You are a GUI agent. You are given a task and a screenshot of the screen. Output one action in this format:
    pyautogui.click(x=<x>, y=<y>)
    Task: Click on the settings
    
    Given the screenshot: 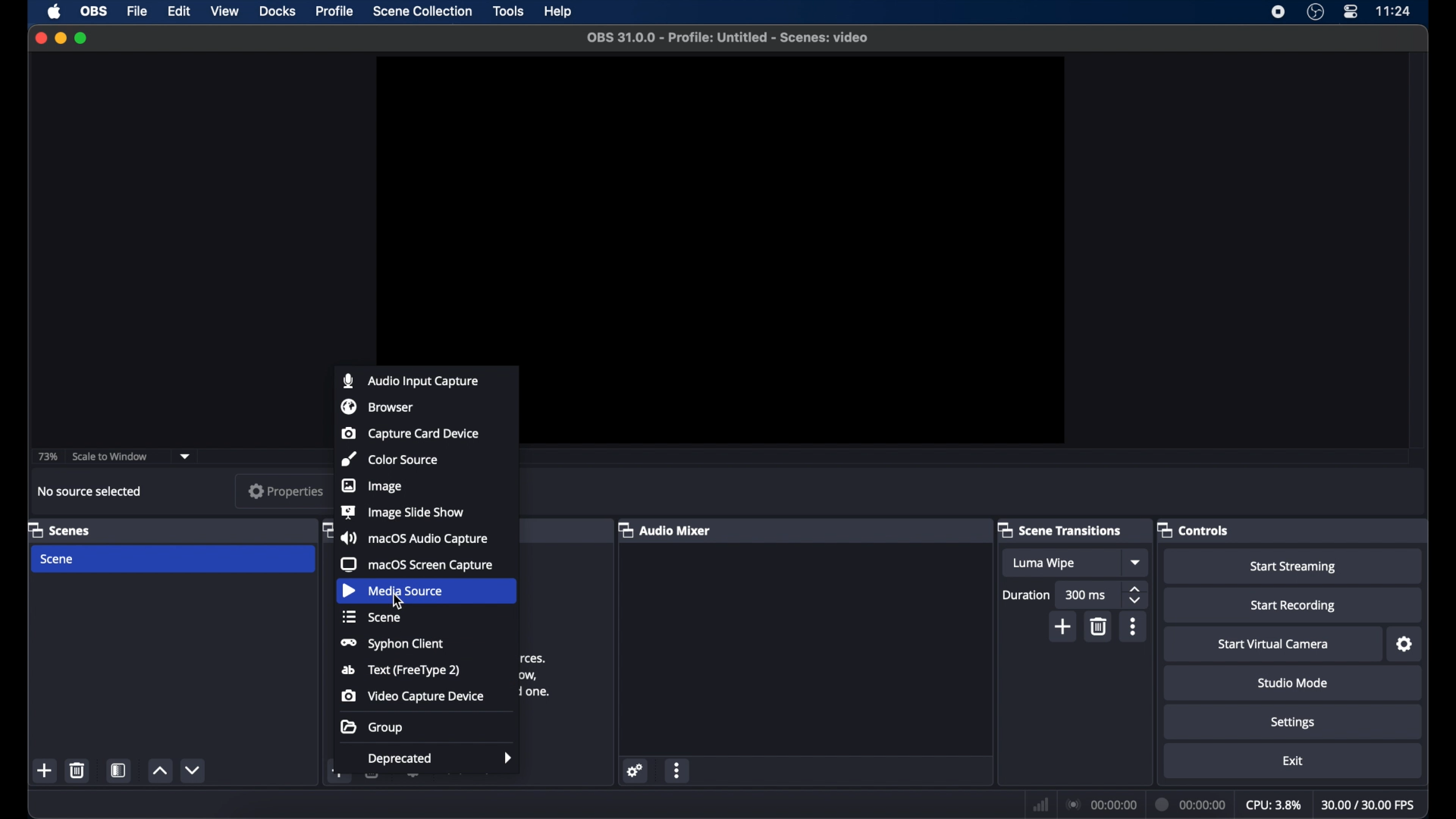 What is the action you would take?
    pyautogui.click(x=413, y=775)
    